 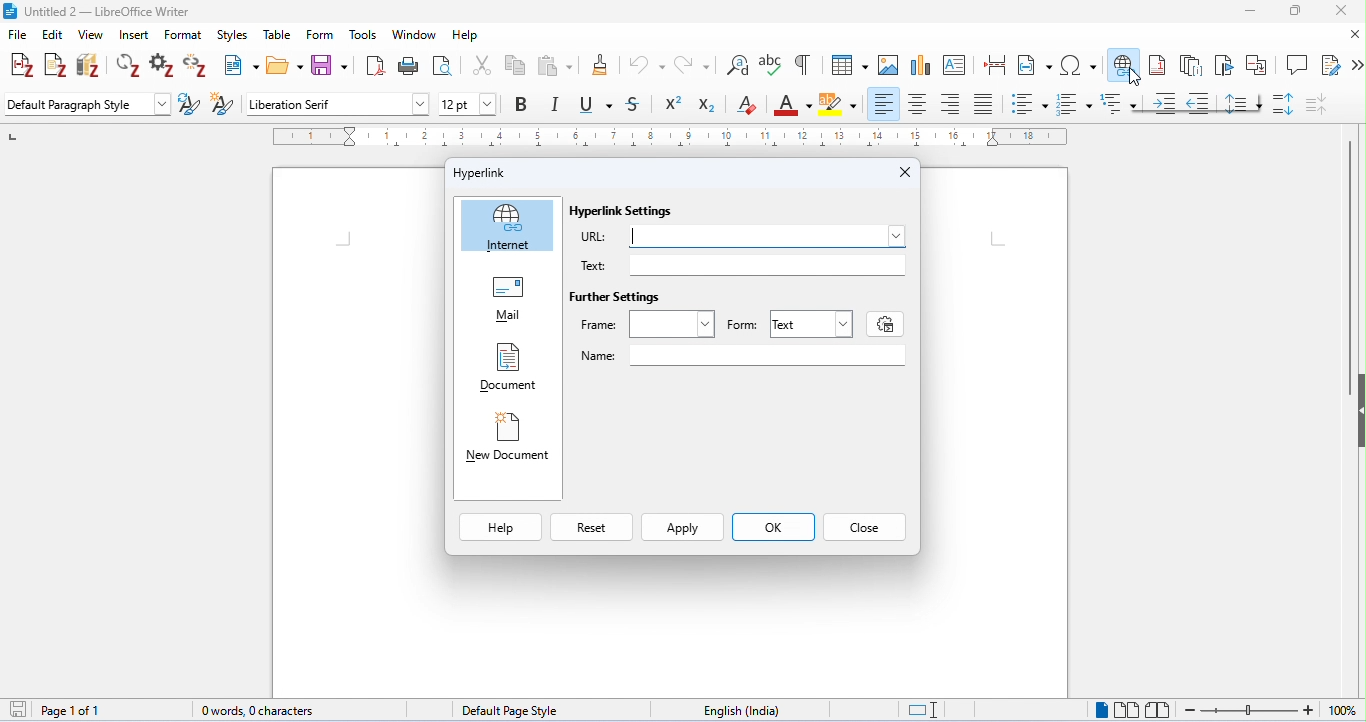 I want to click on insert table, so click(x=849, y=63).